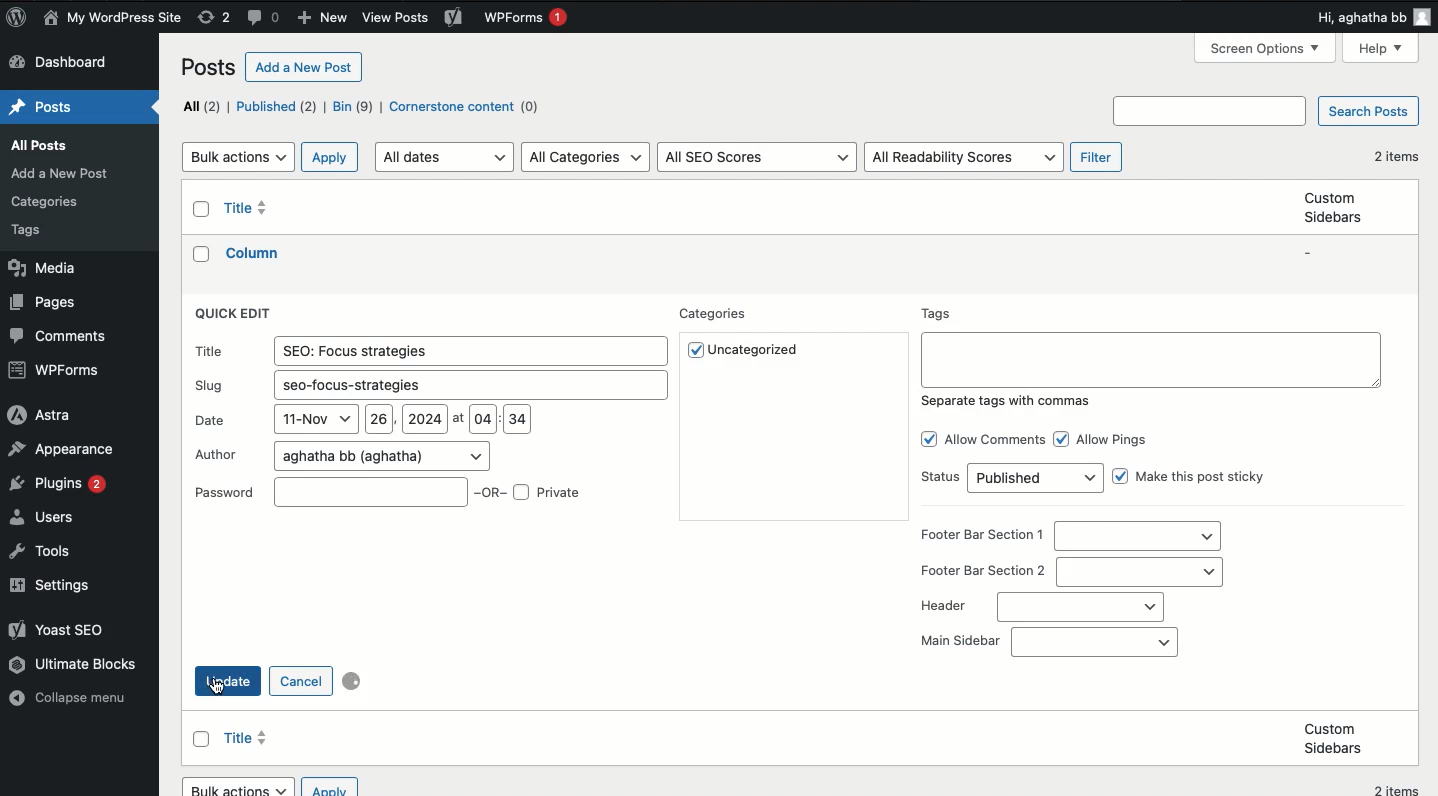 Image resolution: width=1438 pixels, height=796 pixels. I want to click on Tags, so click(939, 314).